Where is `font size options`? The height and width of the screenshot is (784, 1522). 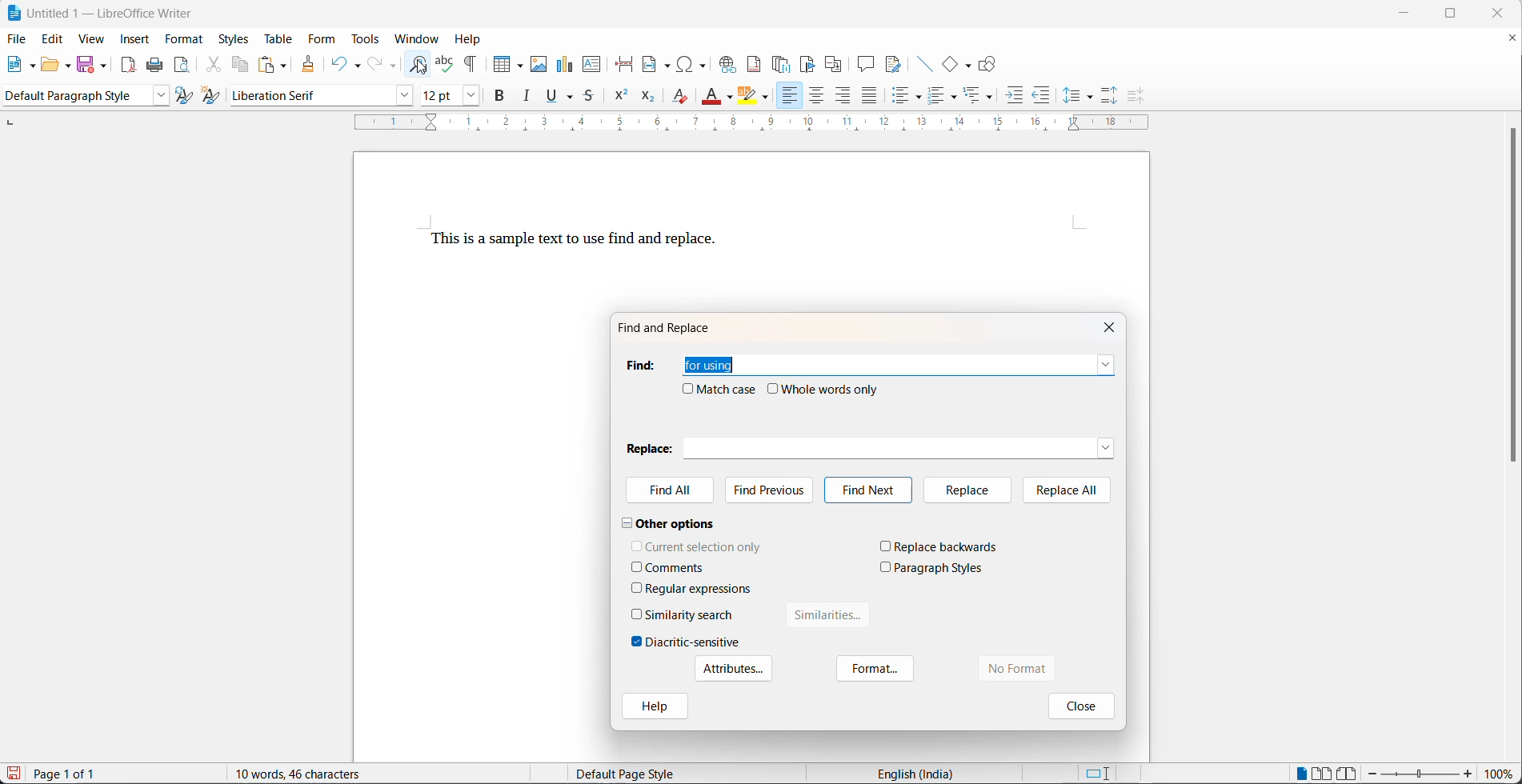 font size options is located at coordinates (467, 98).